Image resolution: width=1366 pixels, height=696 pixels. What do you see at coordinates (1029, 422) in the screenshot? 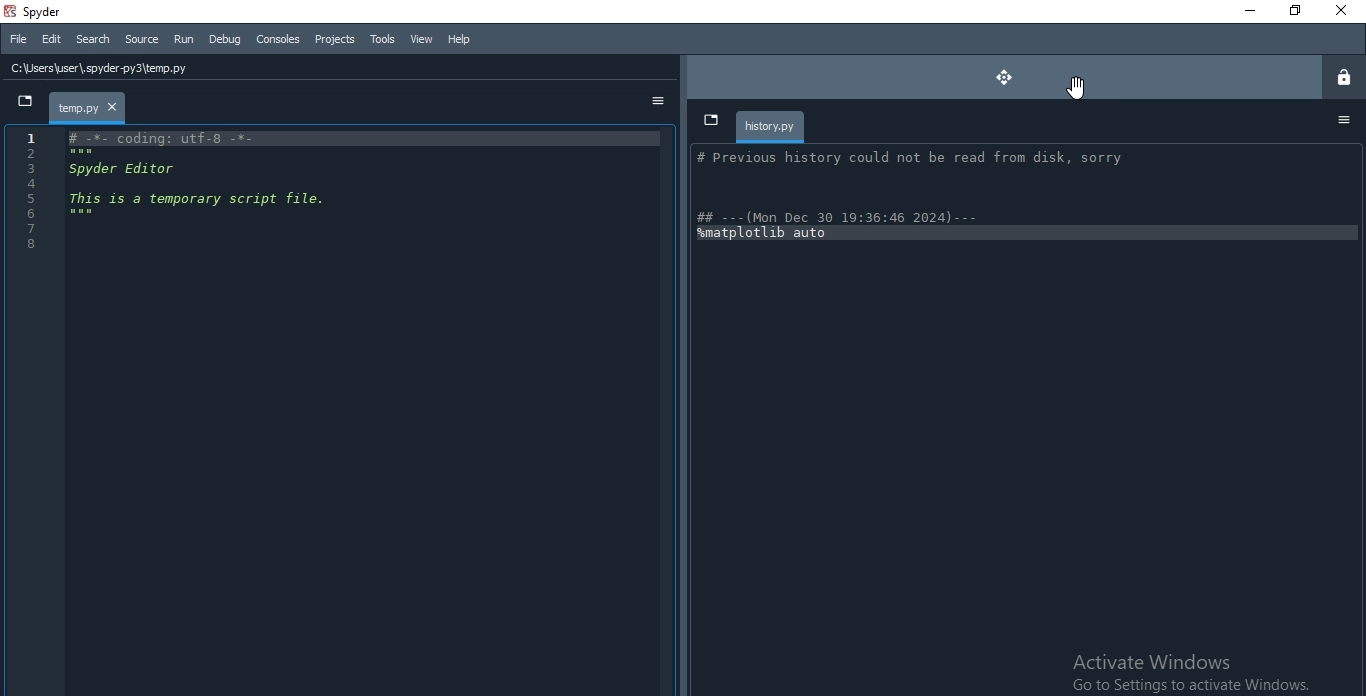
I see `history info` at bounding box center [1029, 422].